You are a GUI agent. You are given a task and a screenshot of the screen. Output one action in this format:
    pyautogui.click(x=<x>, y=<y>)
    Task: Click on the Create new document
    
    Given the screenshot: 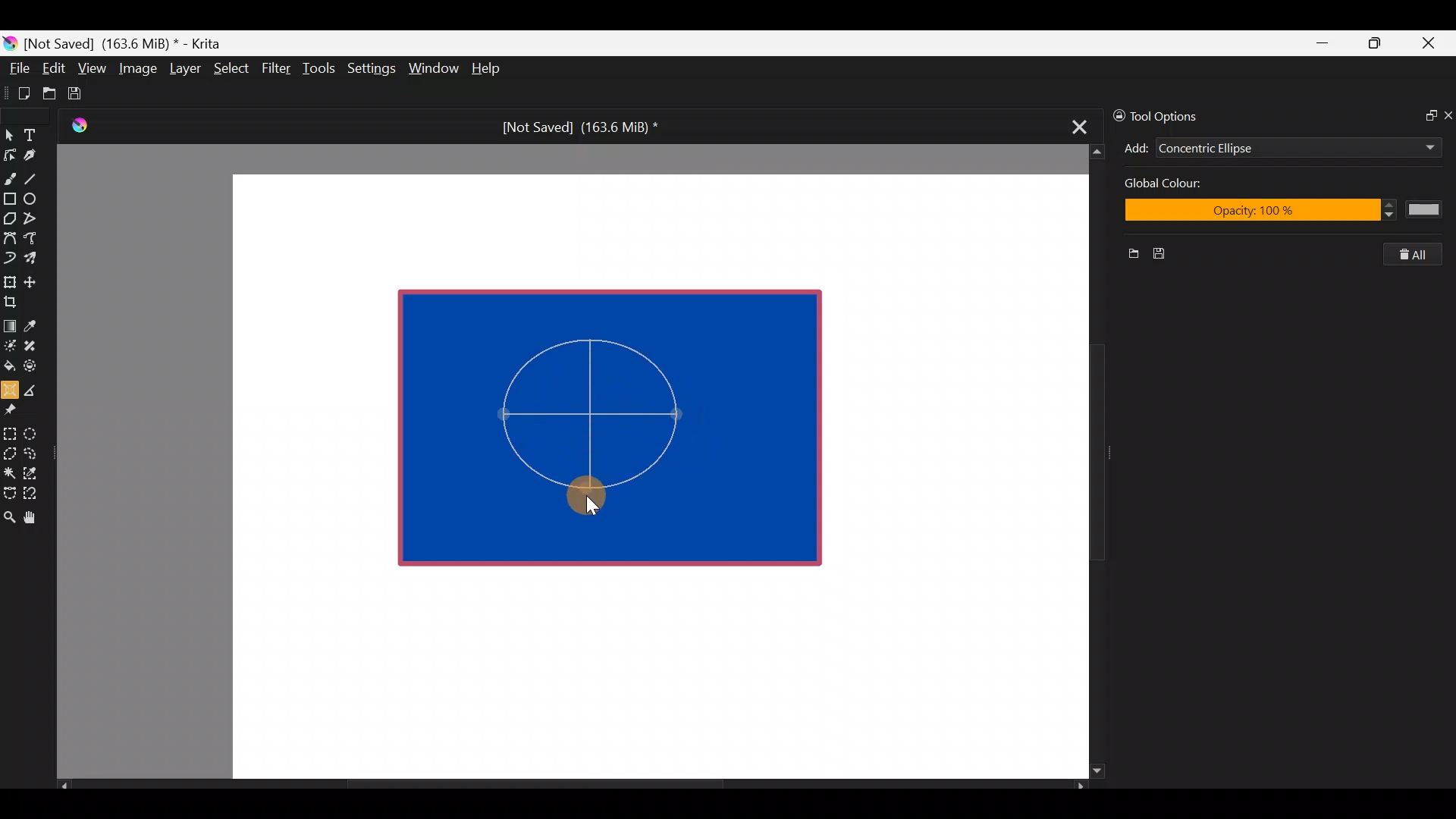 What is the action you would take?
    pyautogui.click(x=19, y=93)
    